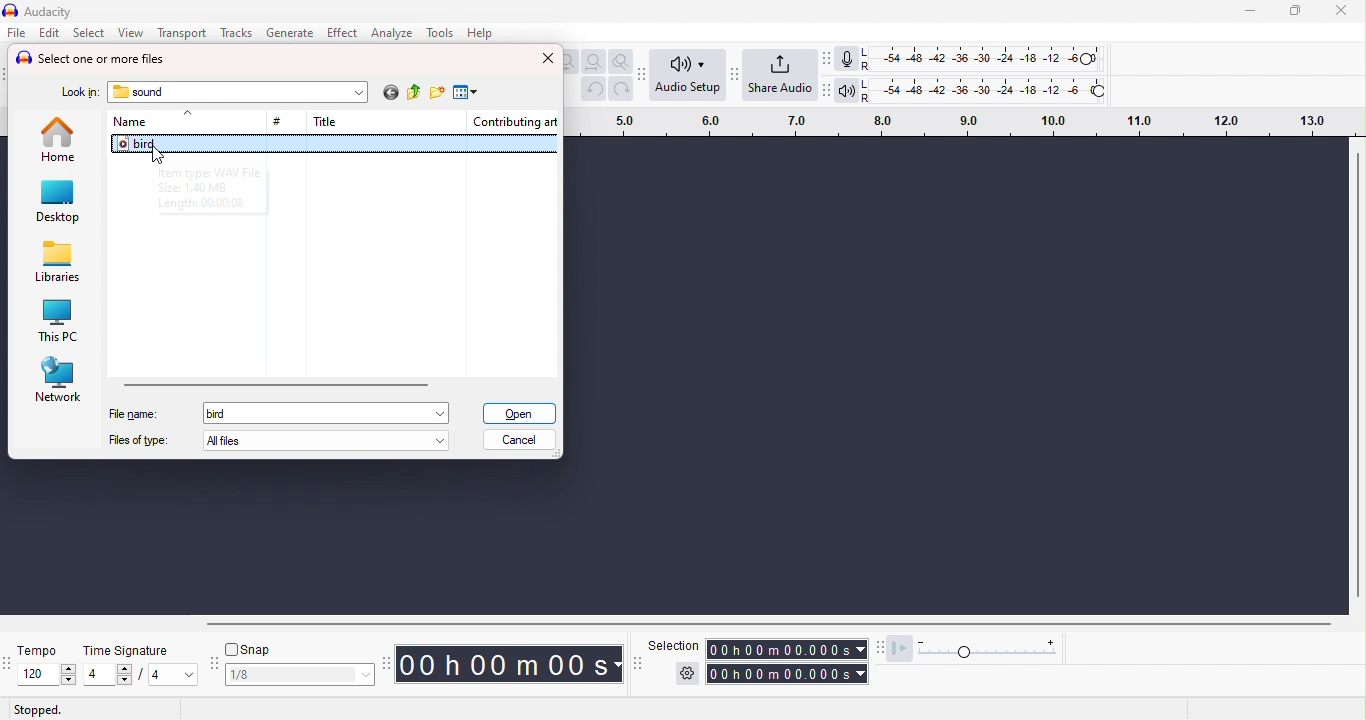 This screenshot has height=720, width=1366. What do you see at coordinates (593, 89) in the screenshot?
I see `undo` at bounding box center [593, 89].